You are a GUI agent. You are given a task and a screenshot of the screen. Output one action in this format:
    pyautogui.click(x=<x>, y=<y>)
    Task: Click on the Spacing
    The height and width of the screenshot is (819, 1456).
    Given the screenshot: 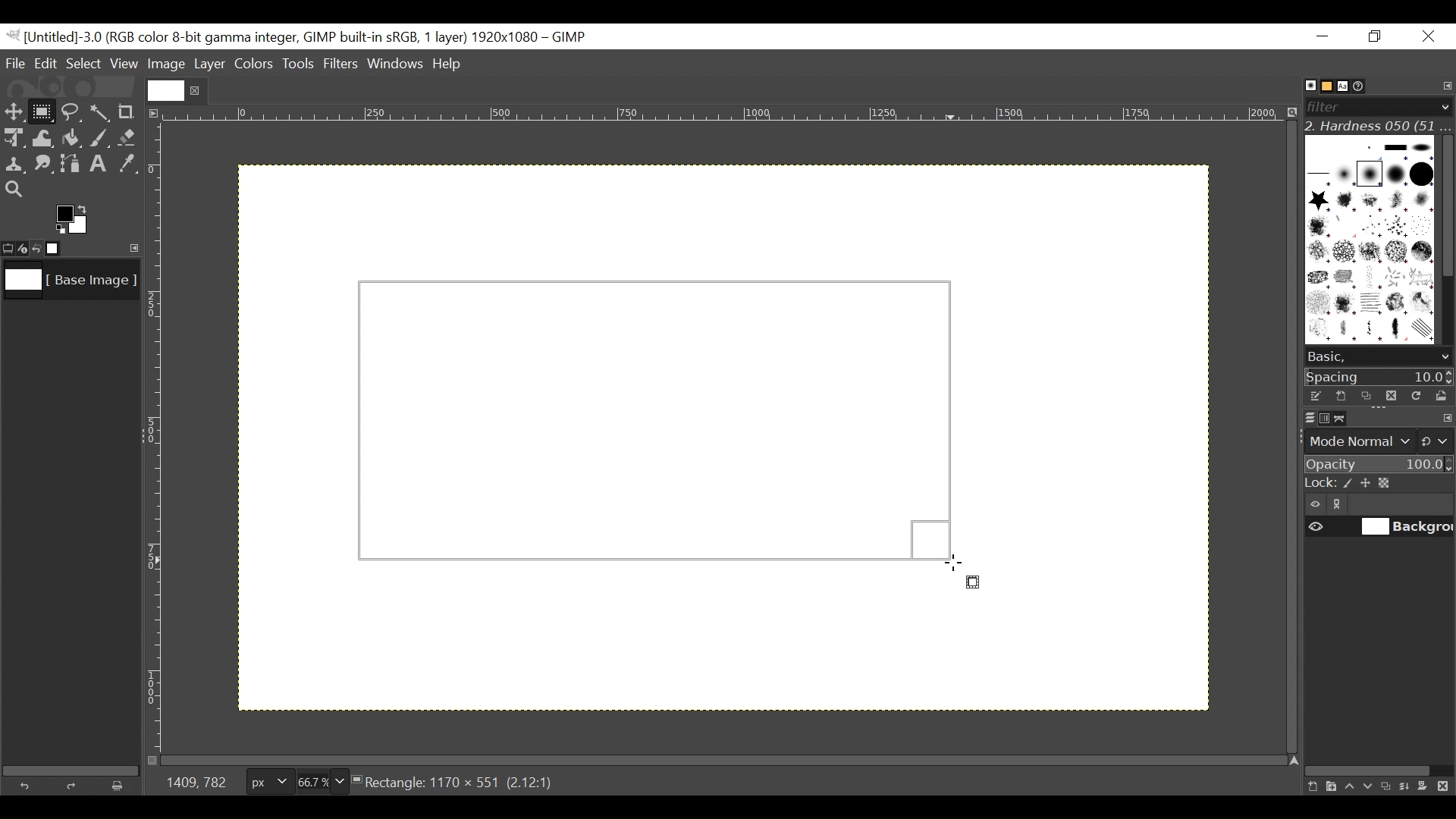 What is the action you would take?
    pyautogui.click(x=1379, y=376)
    